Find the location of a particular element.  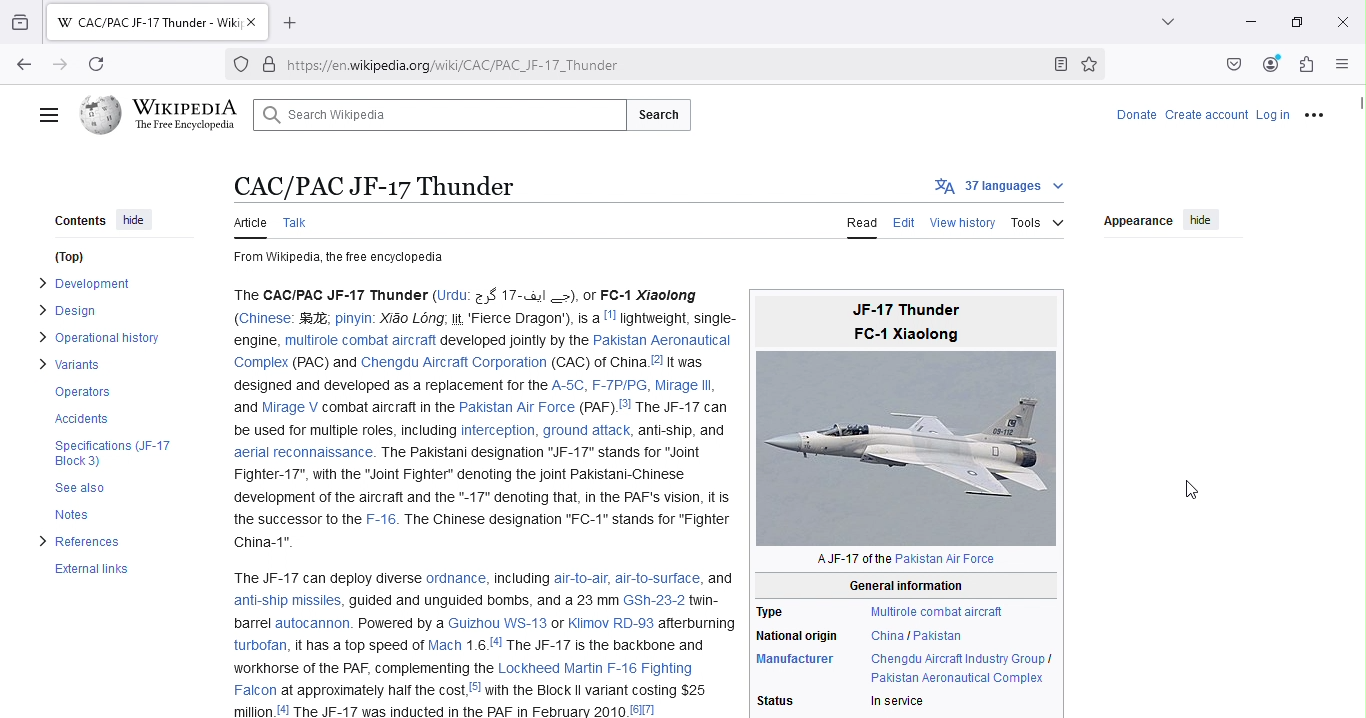

CAC/PAC JF-17 Thunder is located at coordinates (370, 186).